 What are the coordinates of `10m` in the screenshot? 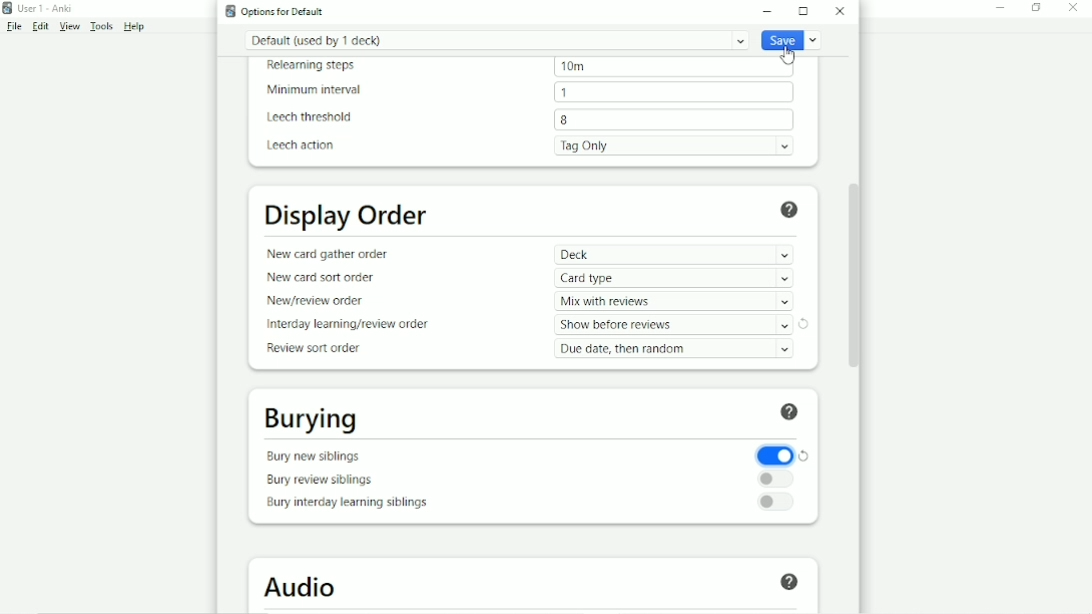 It's located at (572, 68).